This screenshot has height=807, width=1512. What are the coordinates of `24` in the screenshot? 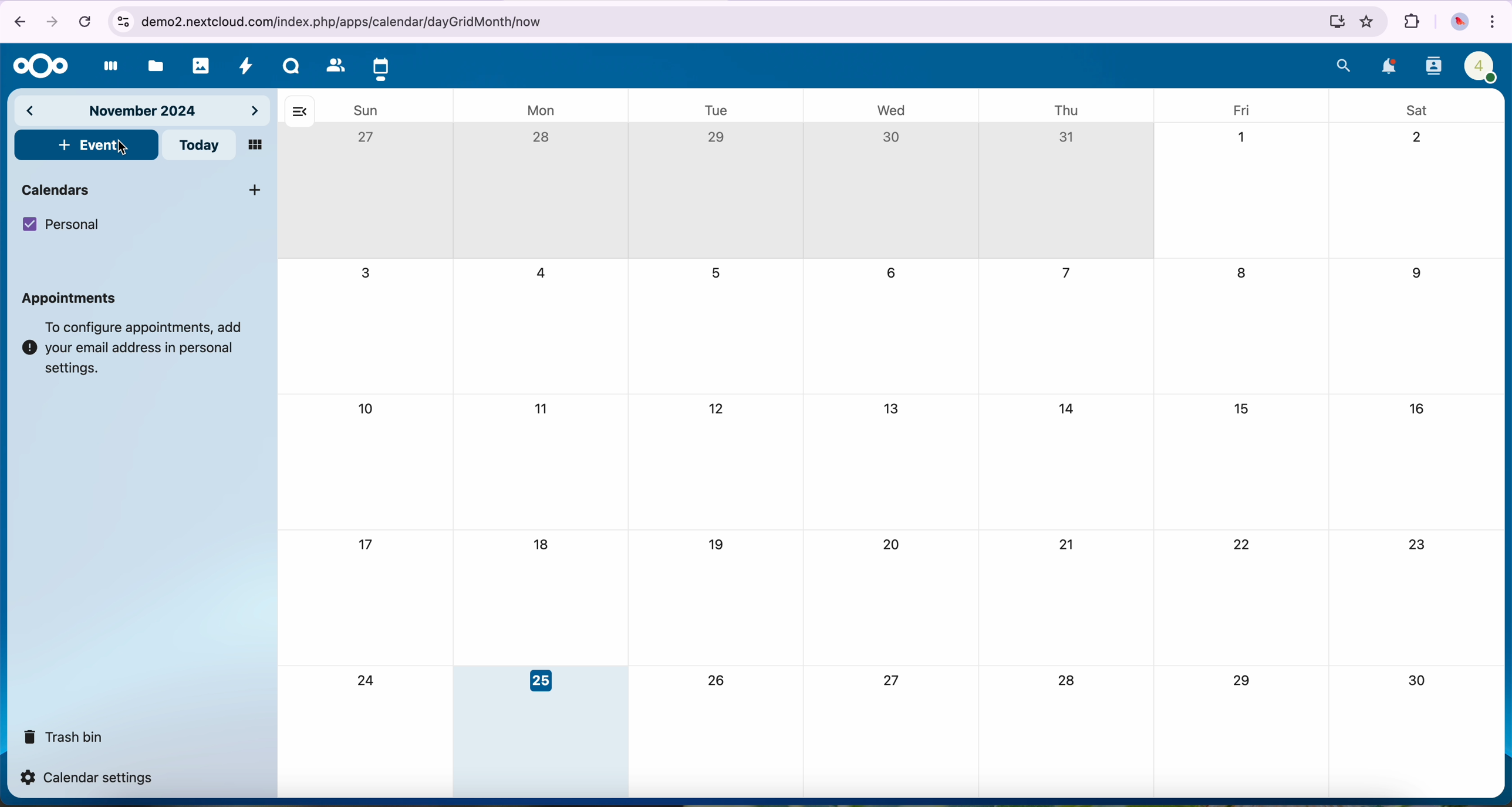 It's located at (369, 681).